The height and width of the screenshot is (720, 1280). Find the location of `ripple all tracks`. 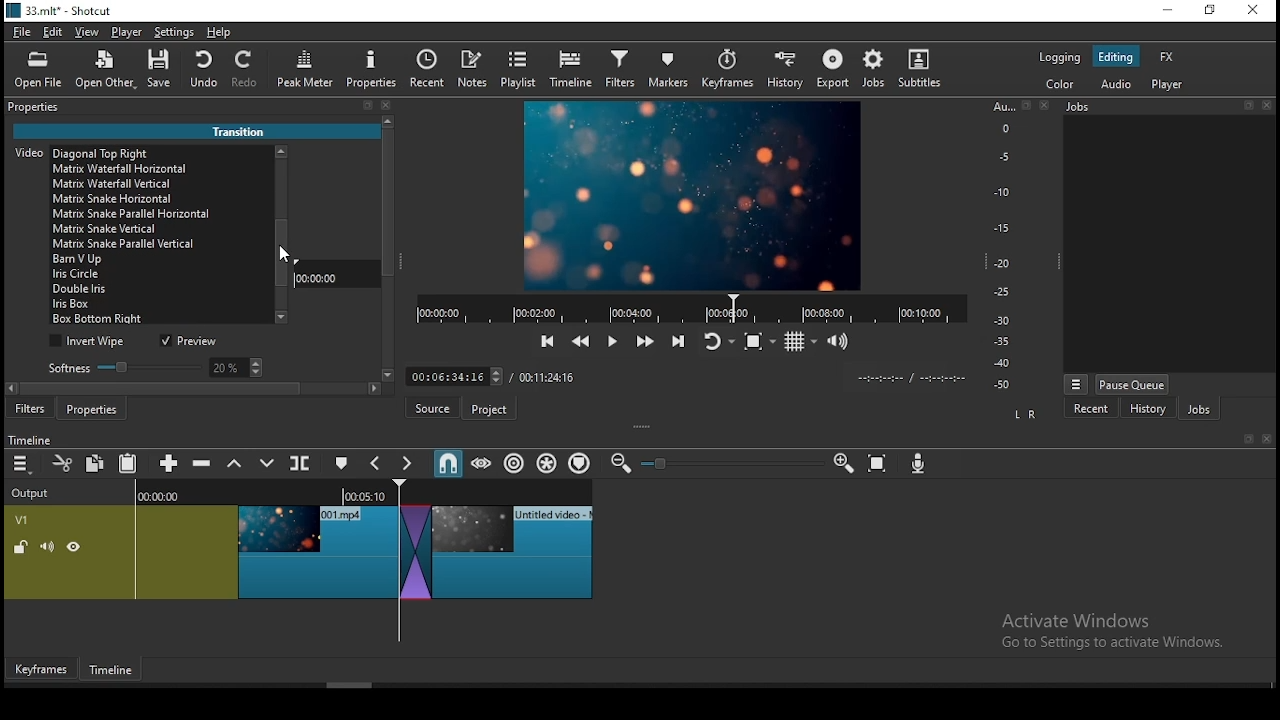

ripple all tracks is located at coordinates (548, 462).